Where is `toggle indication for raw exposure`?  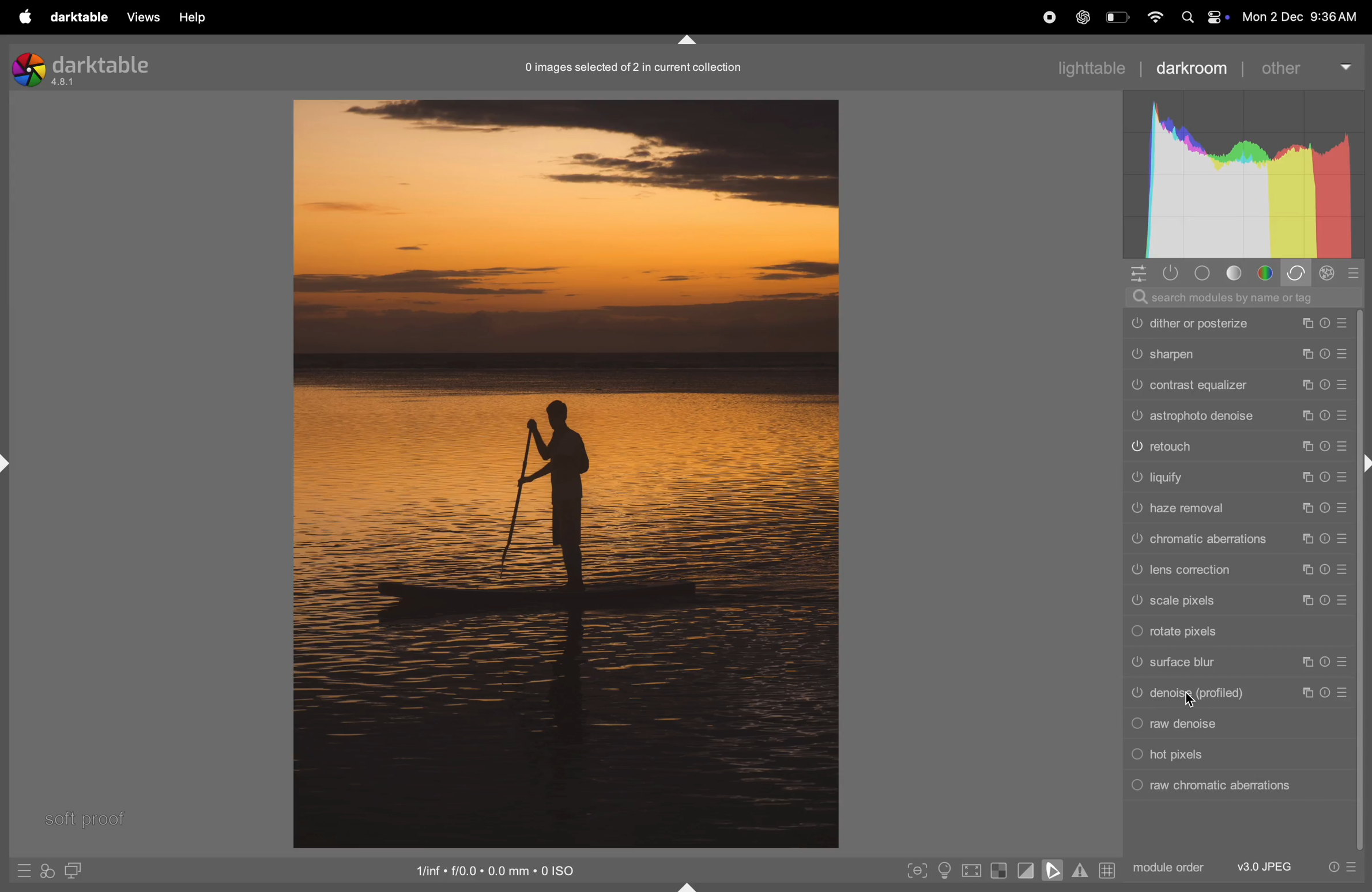 toggle indication for raw exposure is located at coordinates (999, 872).